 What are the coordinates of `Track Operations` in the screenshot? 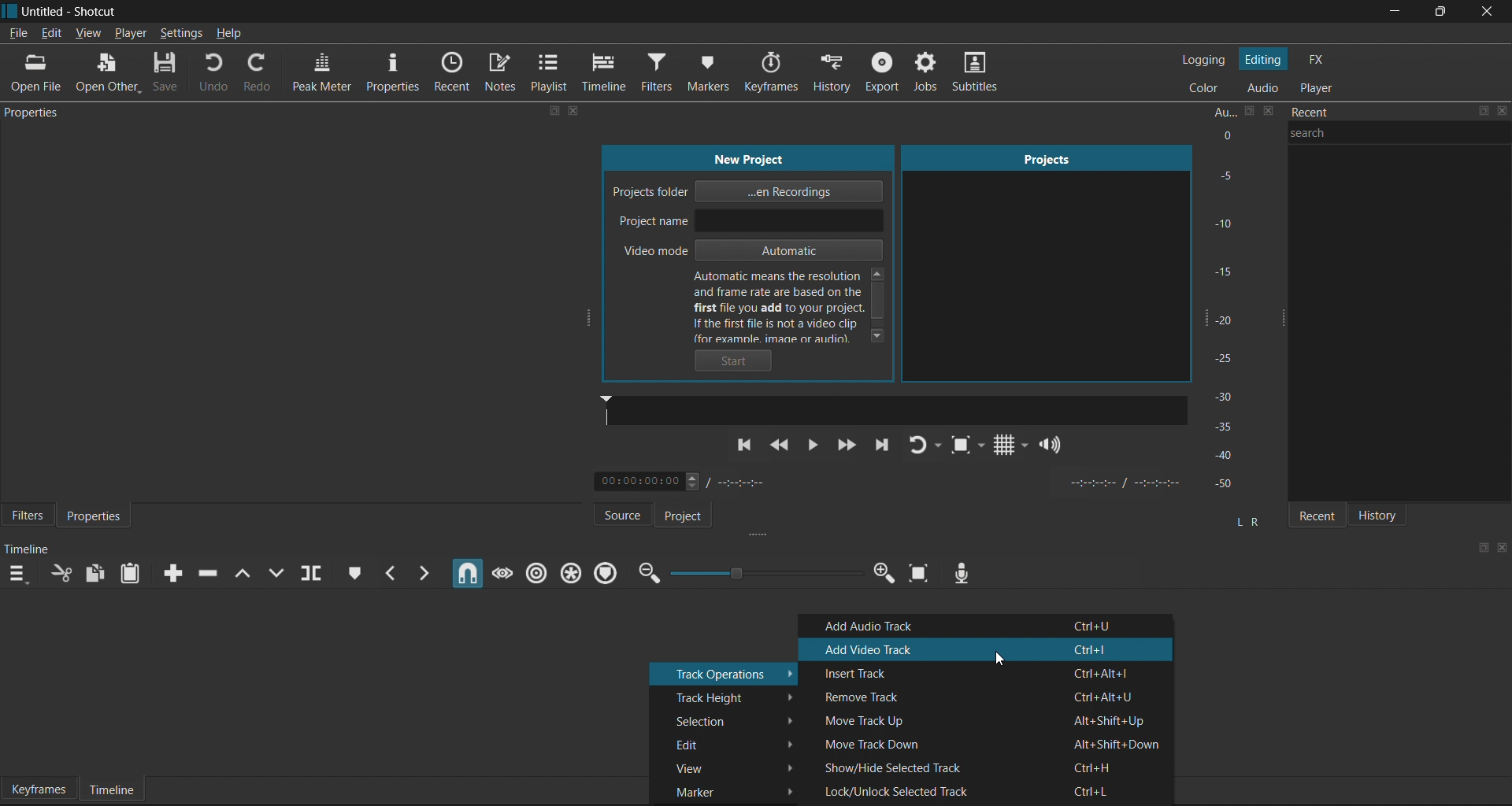 It's located at (723, 673).